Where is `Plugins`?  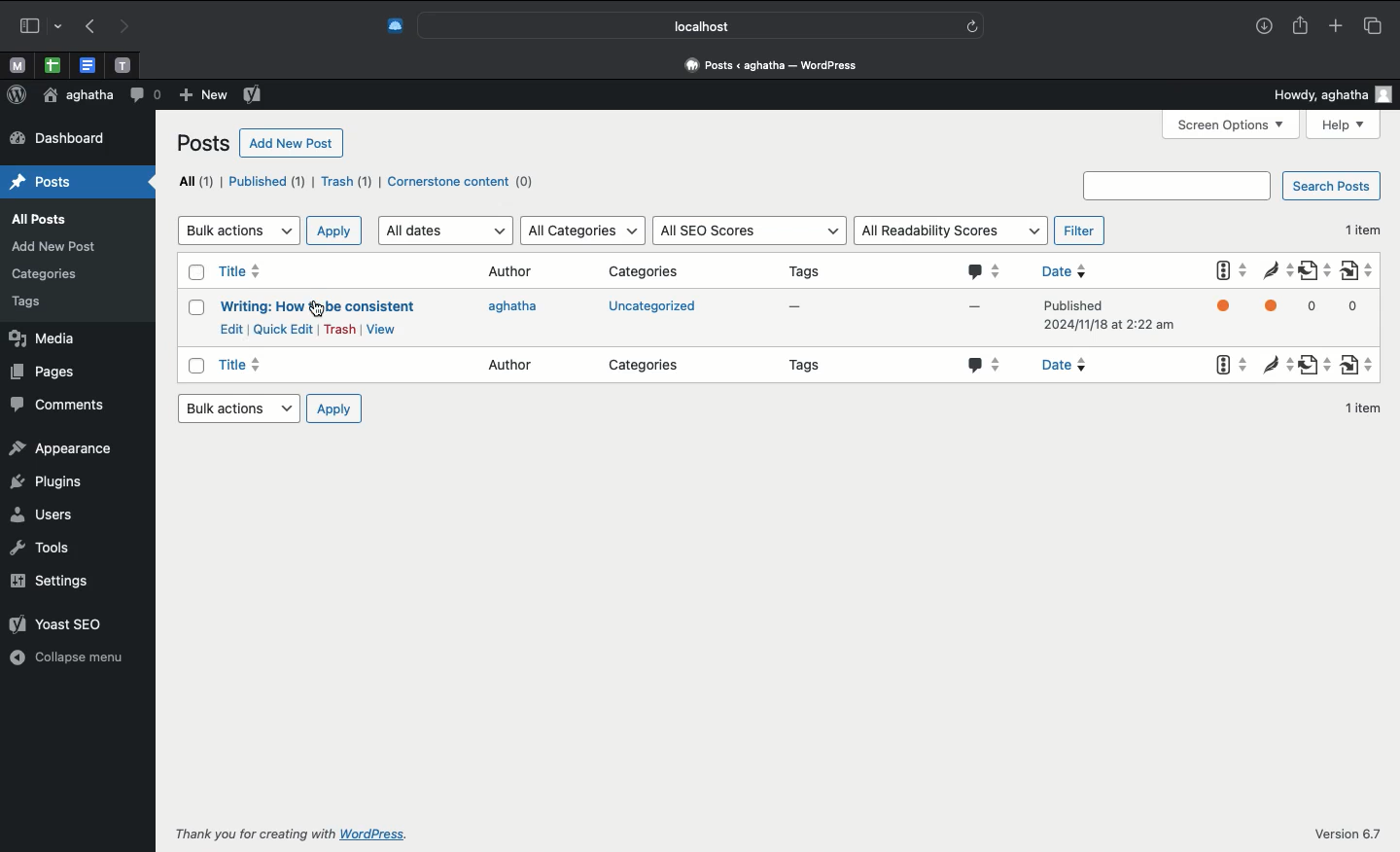 Plugins is located at coordinates (52, 477).